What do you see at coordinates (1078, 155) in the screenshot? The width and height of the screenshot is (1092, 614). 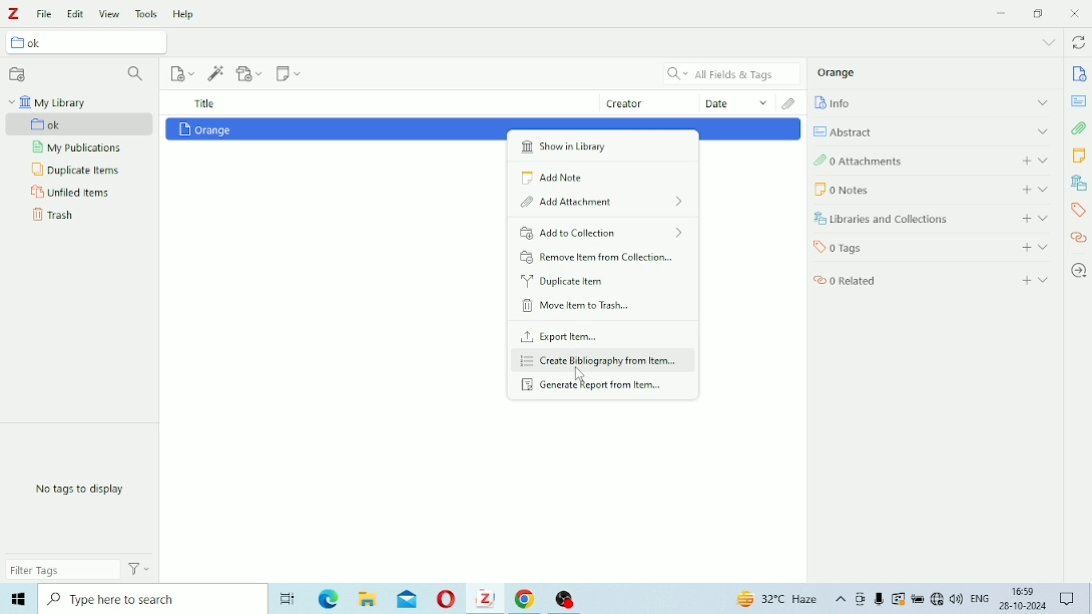 I see `Notes` at bounding box center [1078, 155].